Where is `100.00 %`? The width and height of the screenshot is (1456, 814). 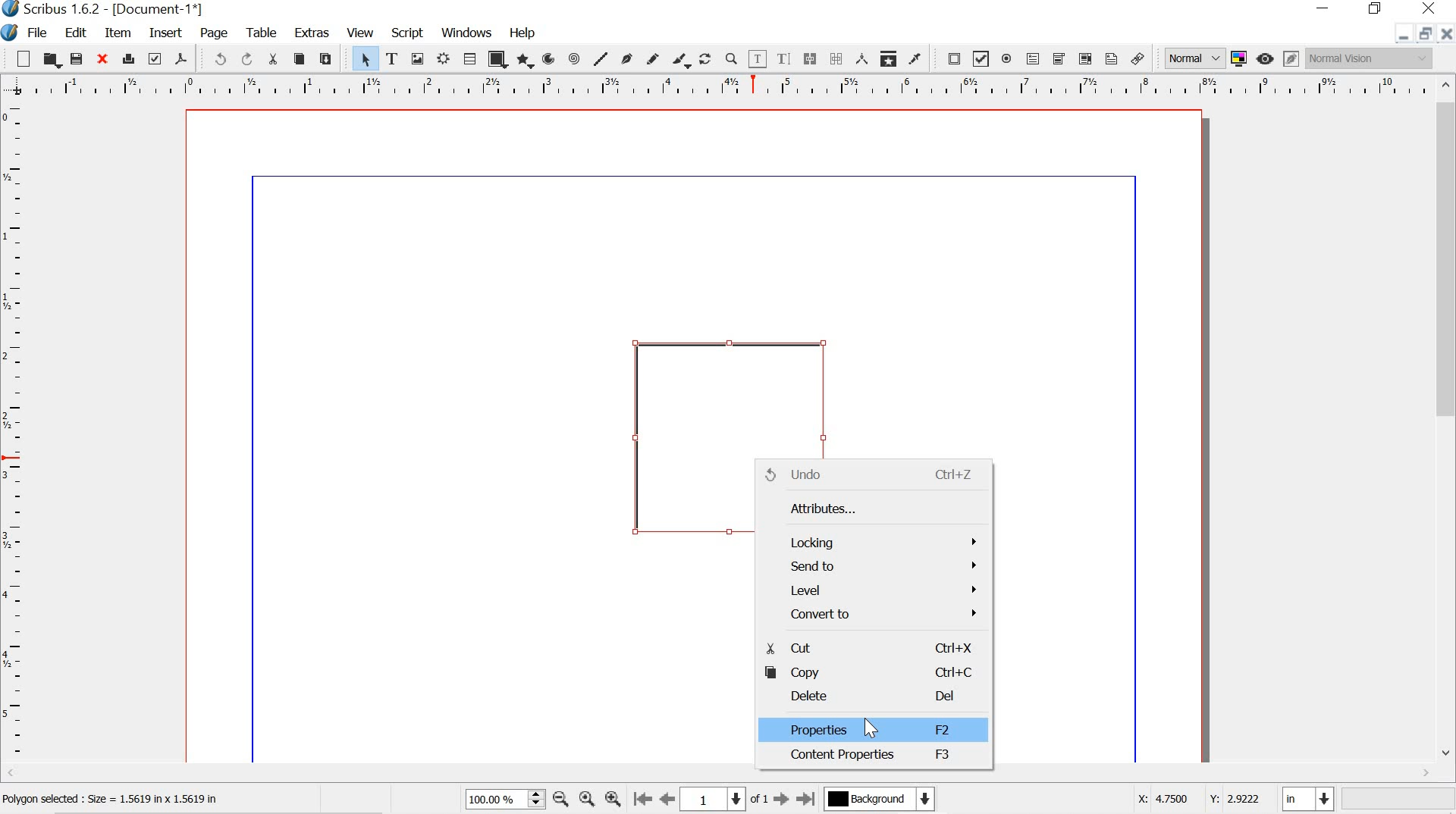 100.00 % is located at coordinates (492, 800).